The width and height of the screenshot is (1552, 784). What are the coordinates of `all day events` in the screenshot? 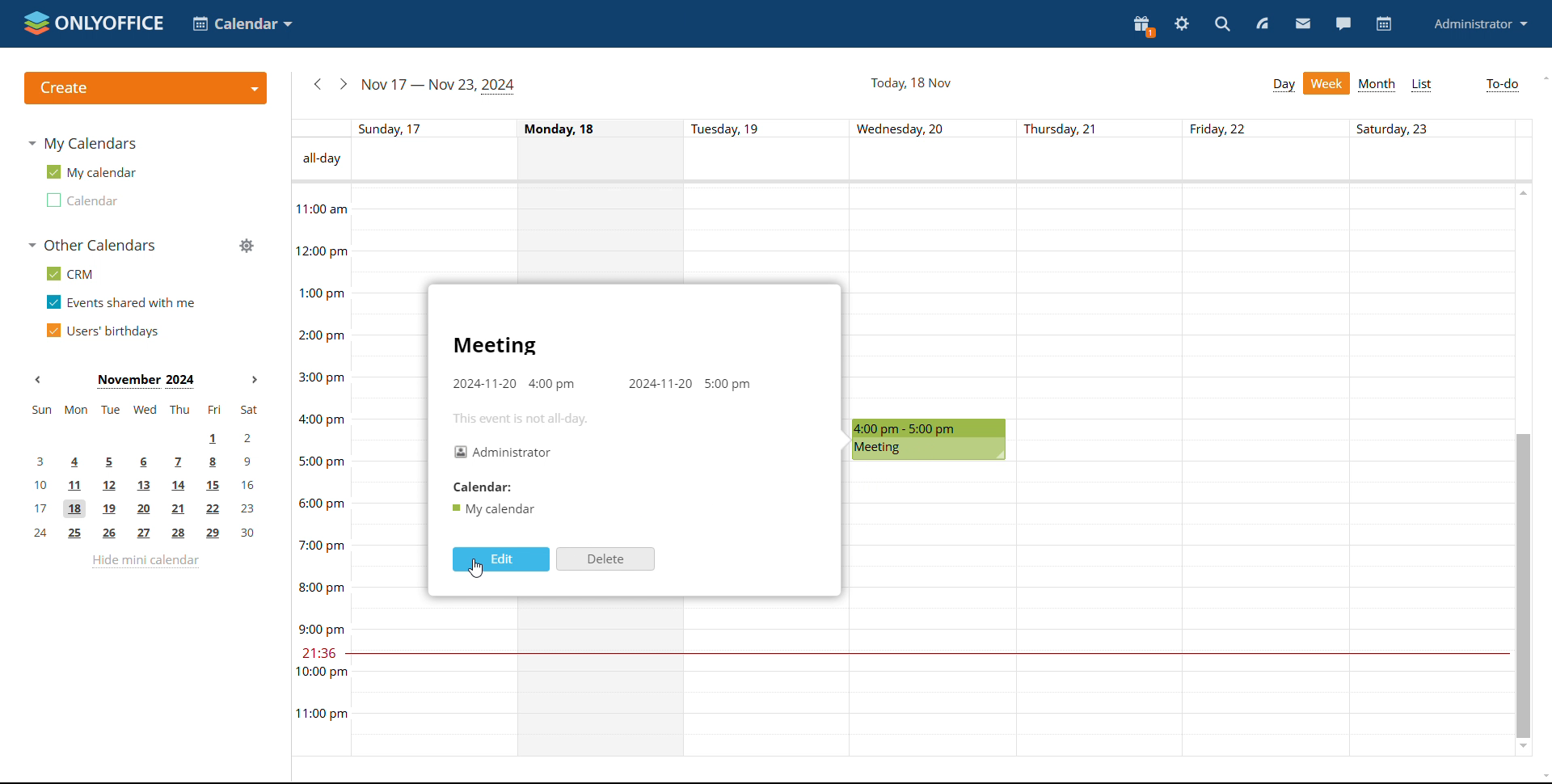 It's located at (941, 159).